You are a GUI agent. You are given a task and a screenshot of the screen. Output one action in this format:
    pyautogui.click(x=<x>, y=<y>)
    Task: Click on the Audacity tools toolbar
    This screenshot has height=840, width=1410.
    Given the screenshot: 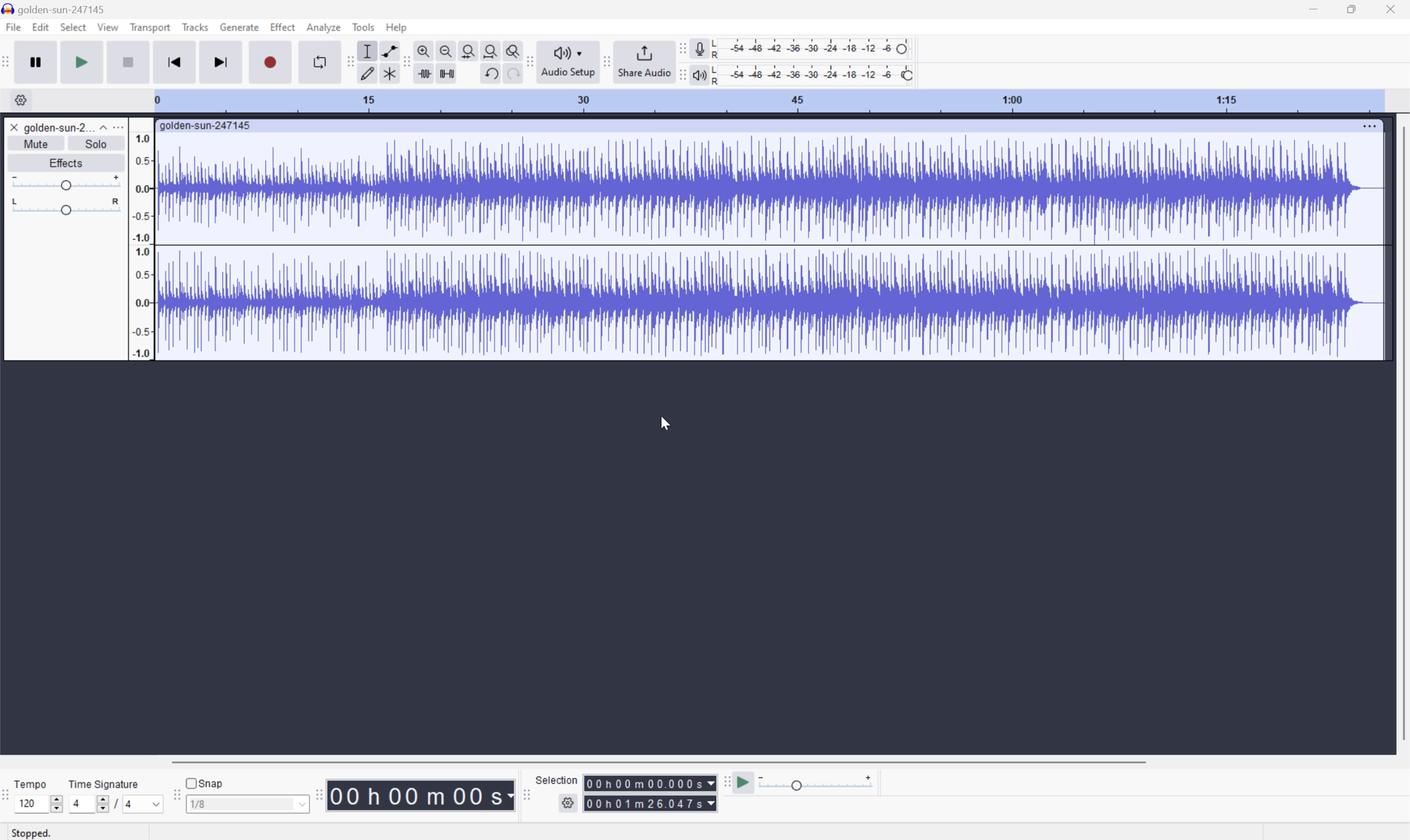 What is the action you would take?
    pyautogui.click(x=348, y=61)
    